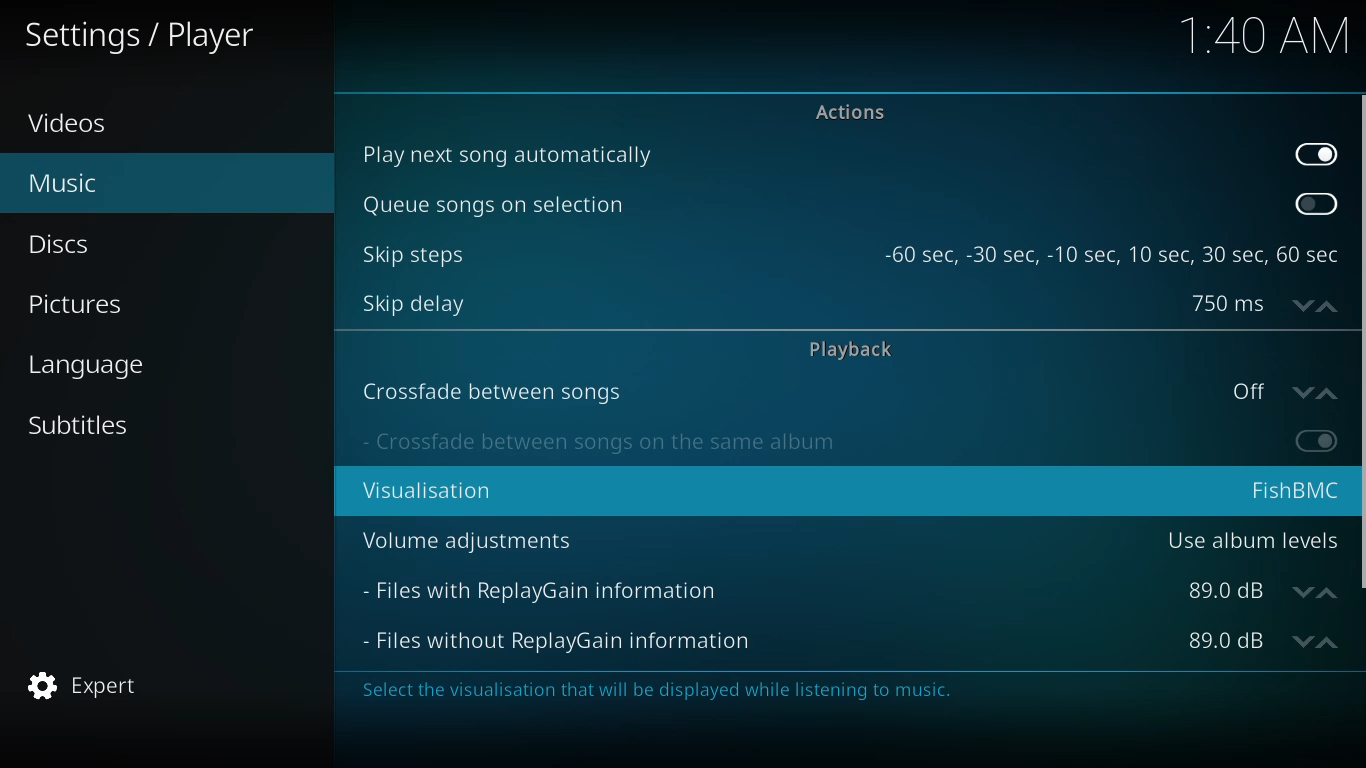 This screenshot has width=1366, height=768. I want to click on db, so click(1255, 595).